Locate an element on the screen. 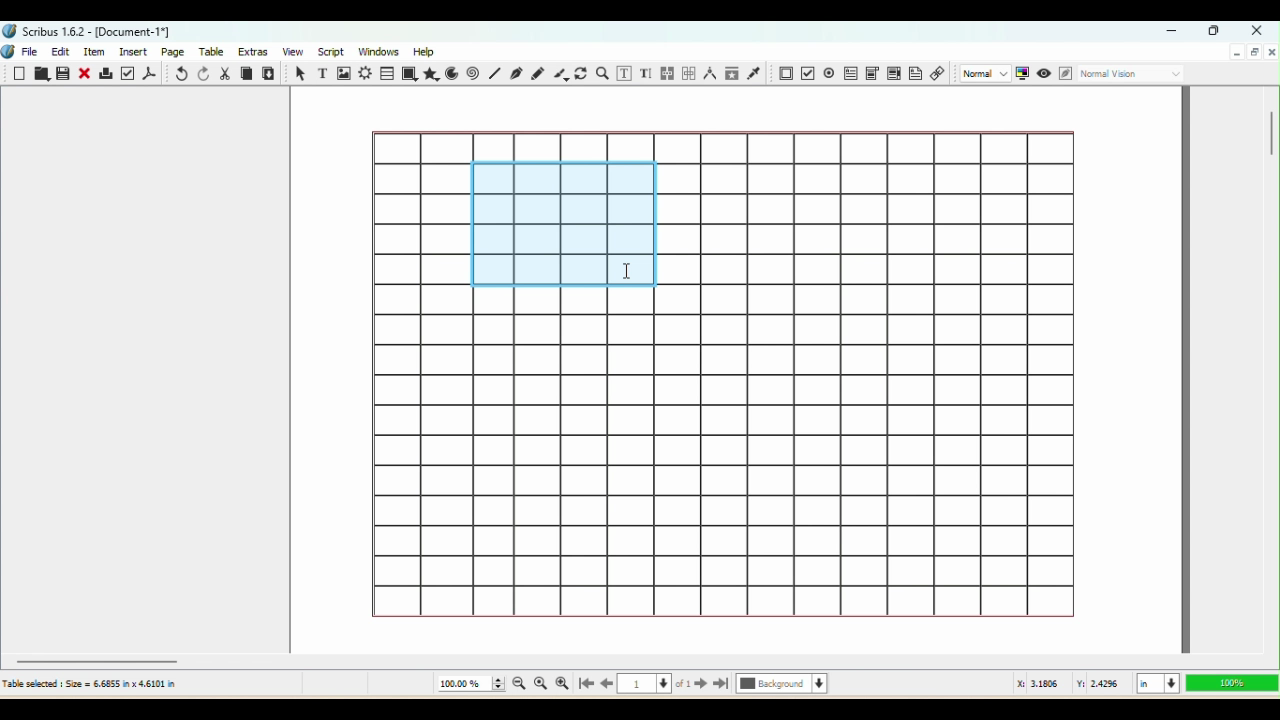  Minimize is located at coordinates (1236, 53).